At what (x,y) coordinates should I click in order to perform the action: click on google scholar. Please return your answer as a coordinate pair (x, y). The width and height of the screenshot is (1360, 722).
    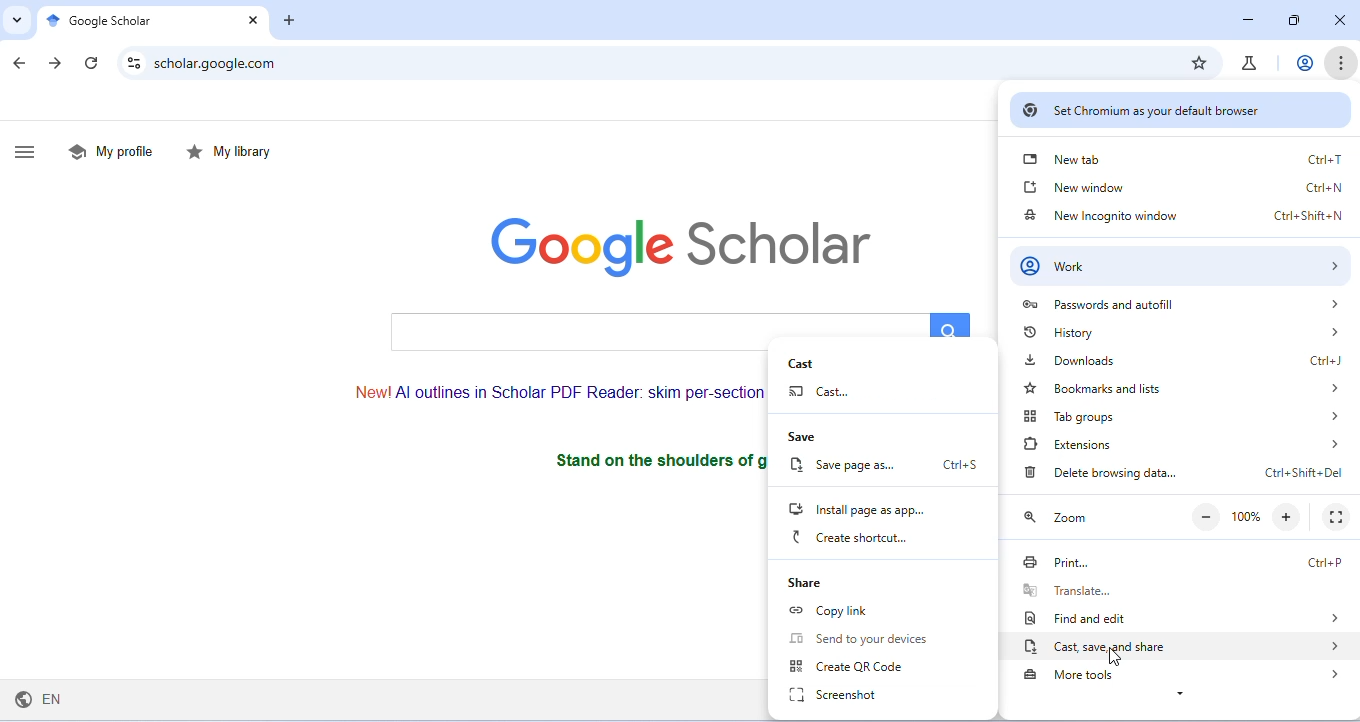
    Looking at the image, I should click on (99, 21).